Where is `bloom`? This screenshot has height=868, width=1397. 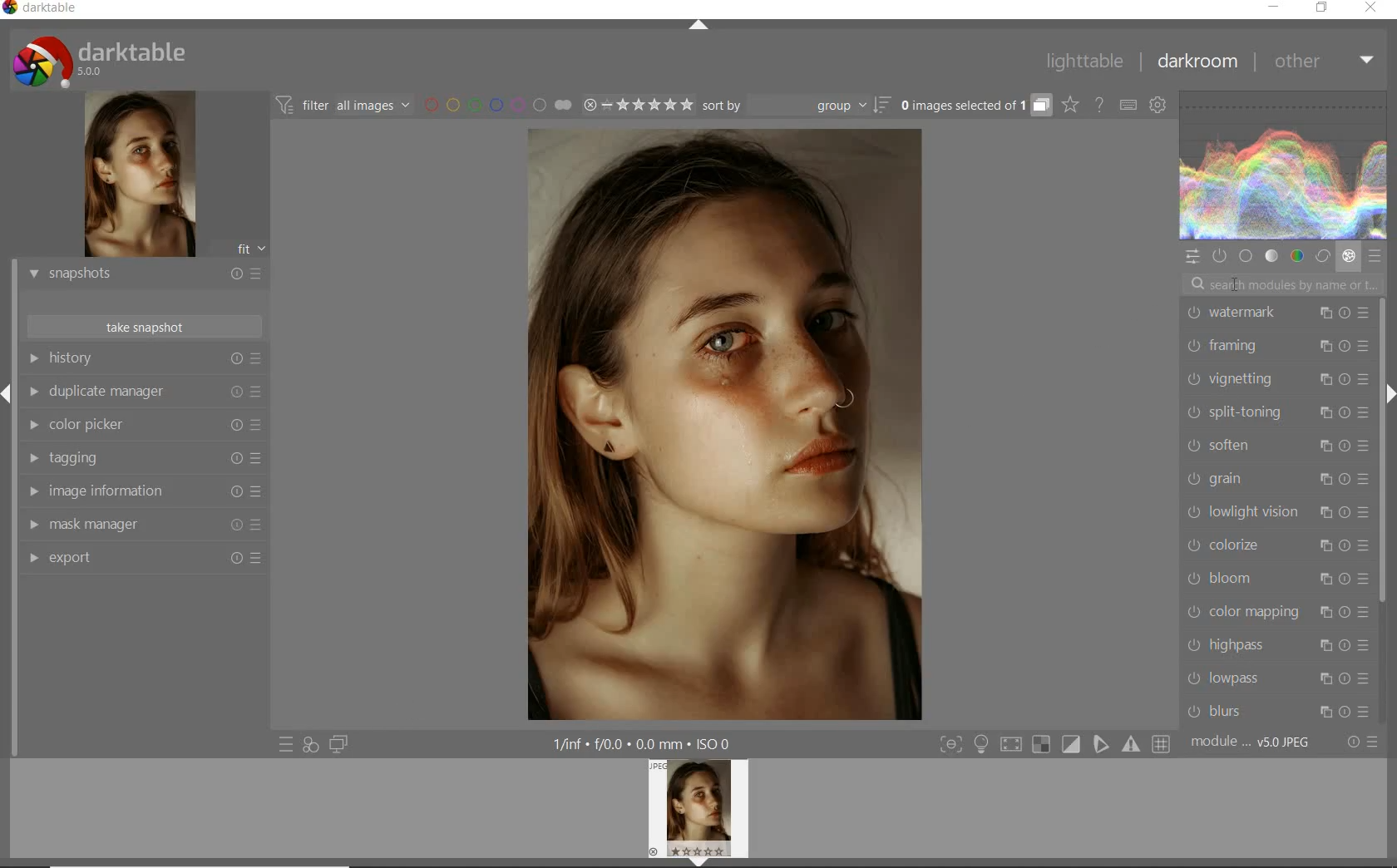
bloom is located at coordinates (1275, 578).